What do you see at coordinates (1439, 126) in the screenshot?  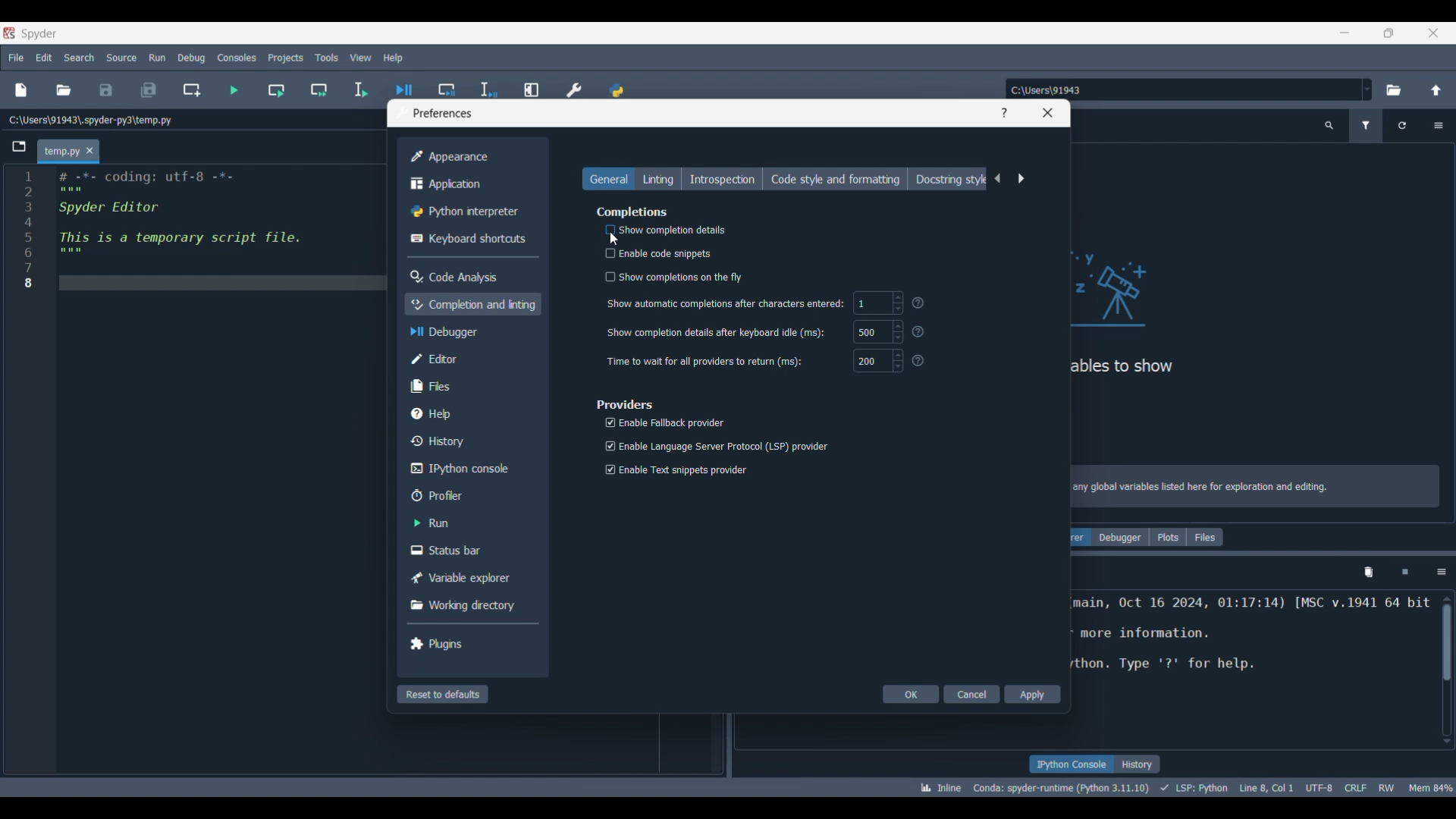 I see `Options` at bounding box center [1439, 126].